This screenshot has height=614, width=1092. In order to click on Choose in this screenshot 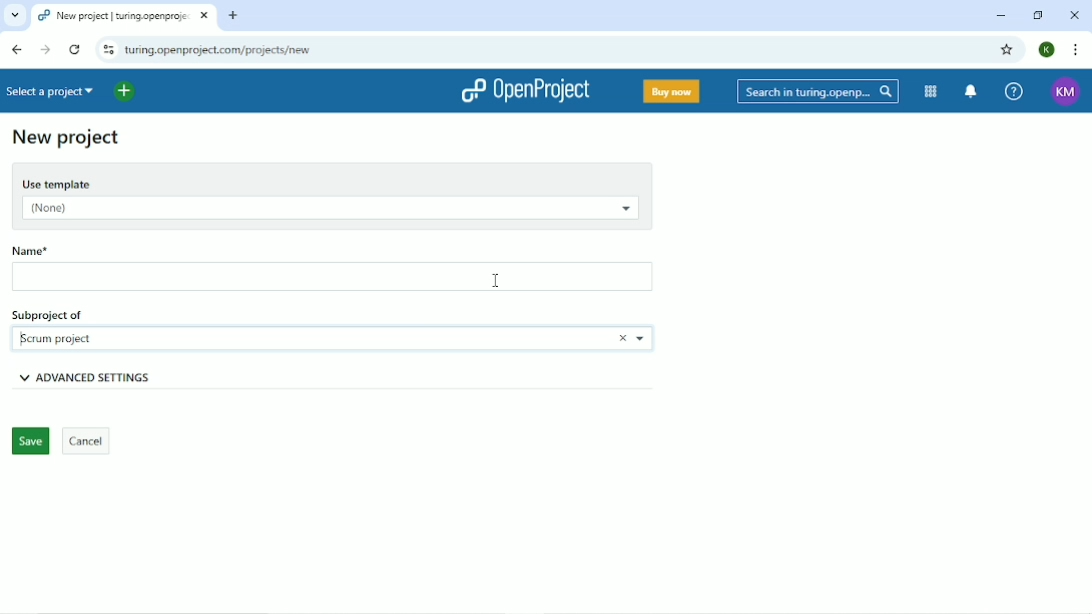, I will do `click(642, 339)`.